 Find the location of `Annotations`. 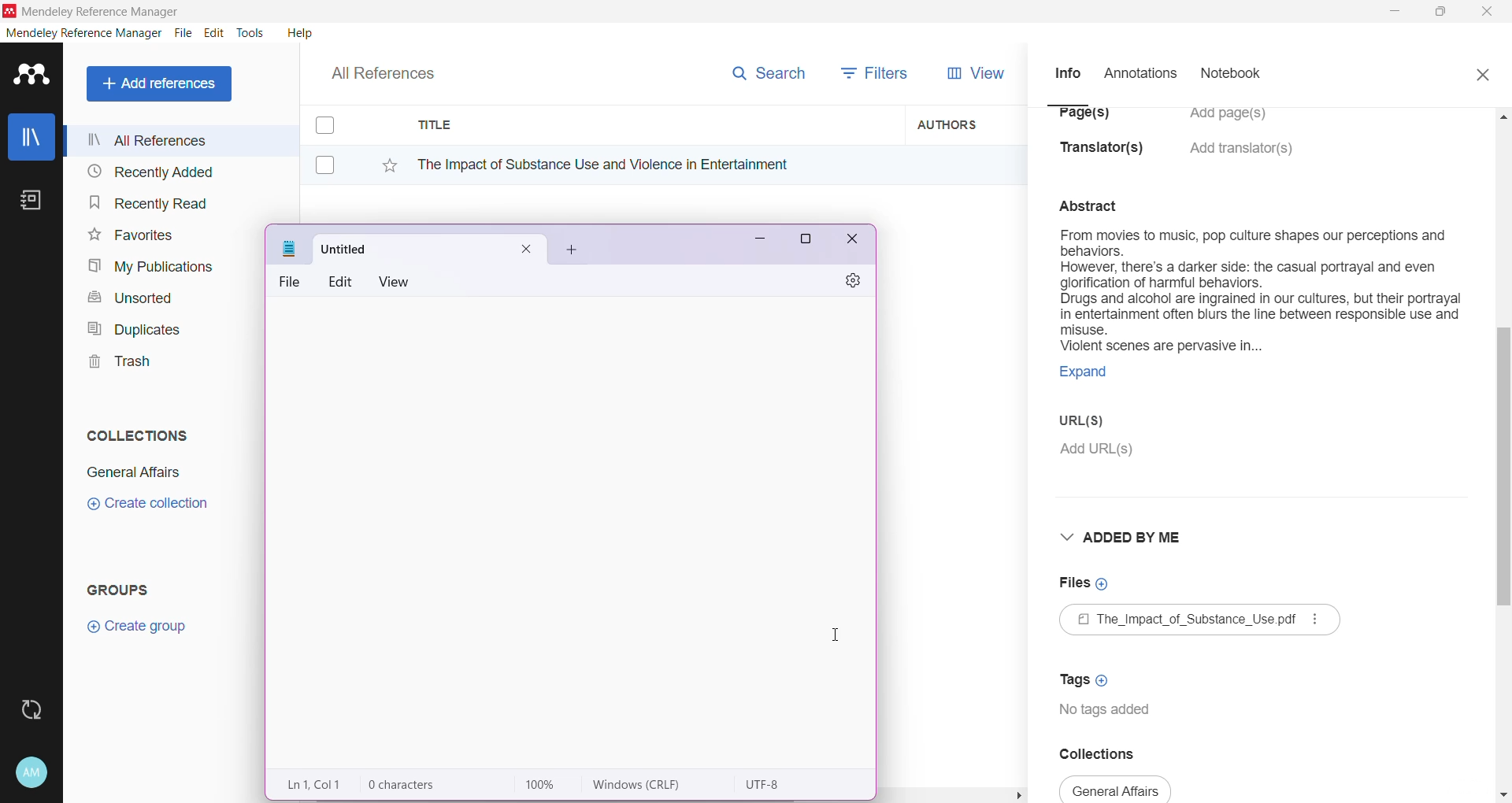

Annotations is located at coordinates (1139, 74).